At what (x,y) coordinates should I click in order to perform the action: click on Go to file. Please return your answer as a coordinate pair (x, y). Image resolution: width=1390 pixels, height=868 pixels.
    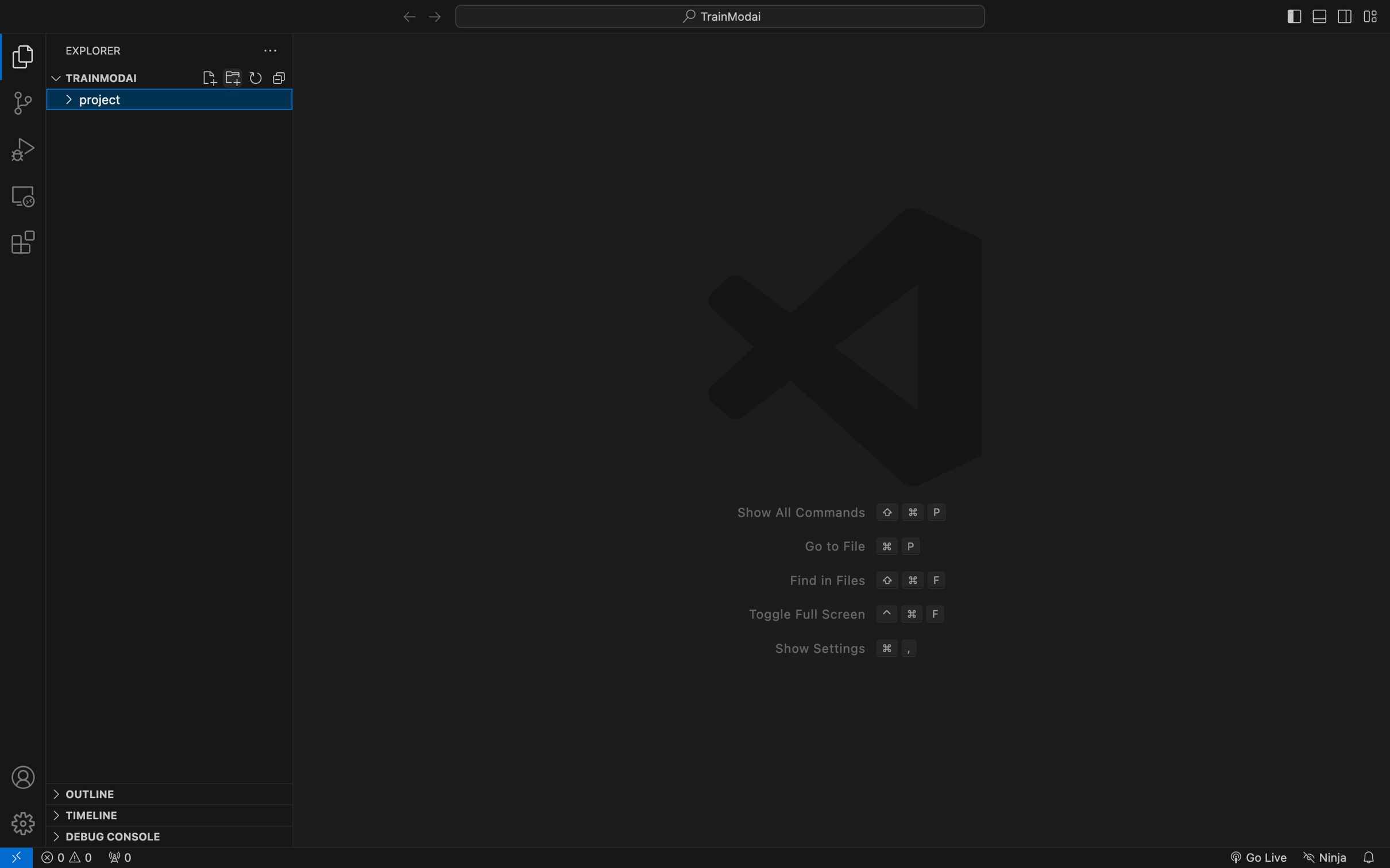
    Looking at the image, I should click on (864, 549).